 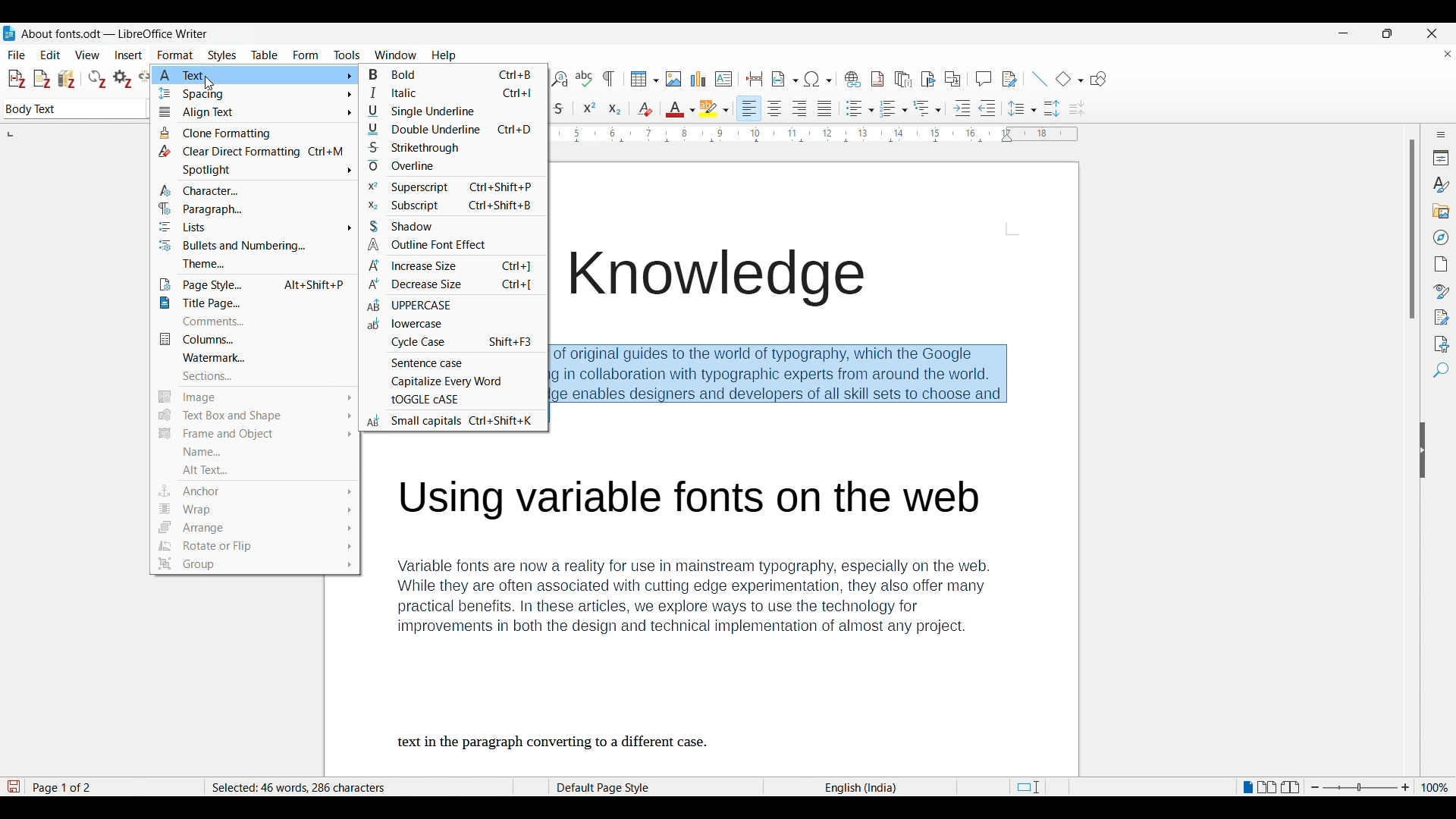 I want to click on Clone formating, so click(x=249, y=134).